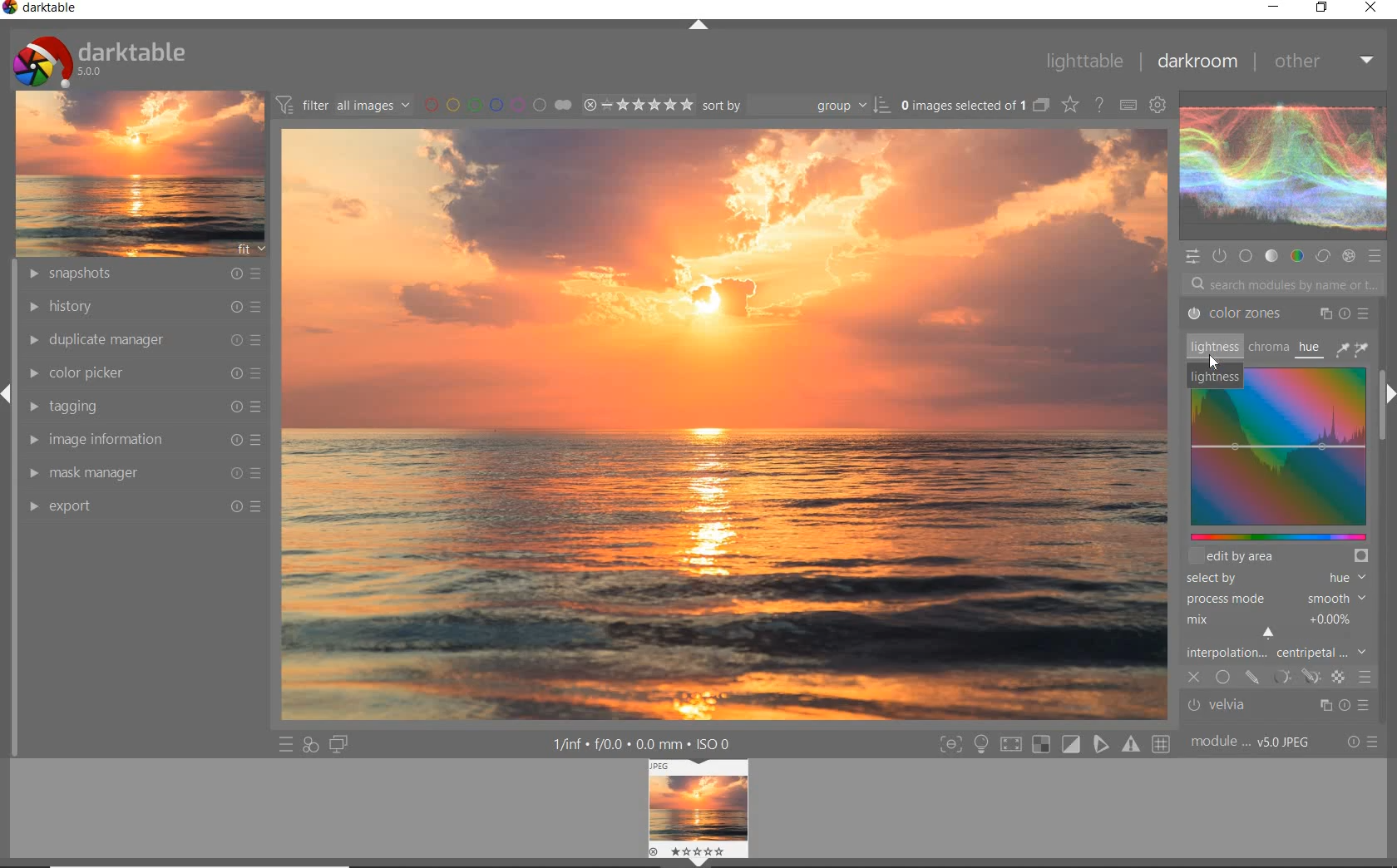 The height and width of the screenshot is (868, 1397). I want to click on COLOR PICKER TOOLS, so click(1352, 348).